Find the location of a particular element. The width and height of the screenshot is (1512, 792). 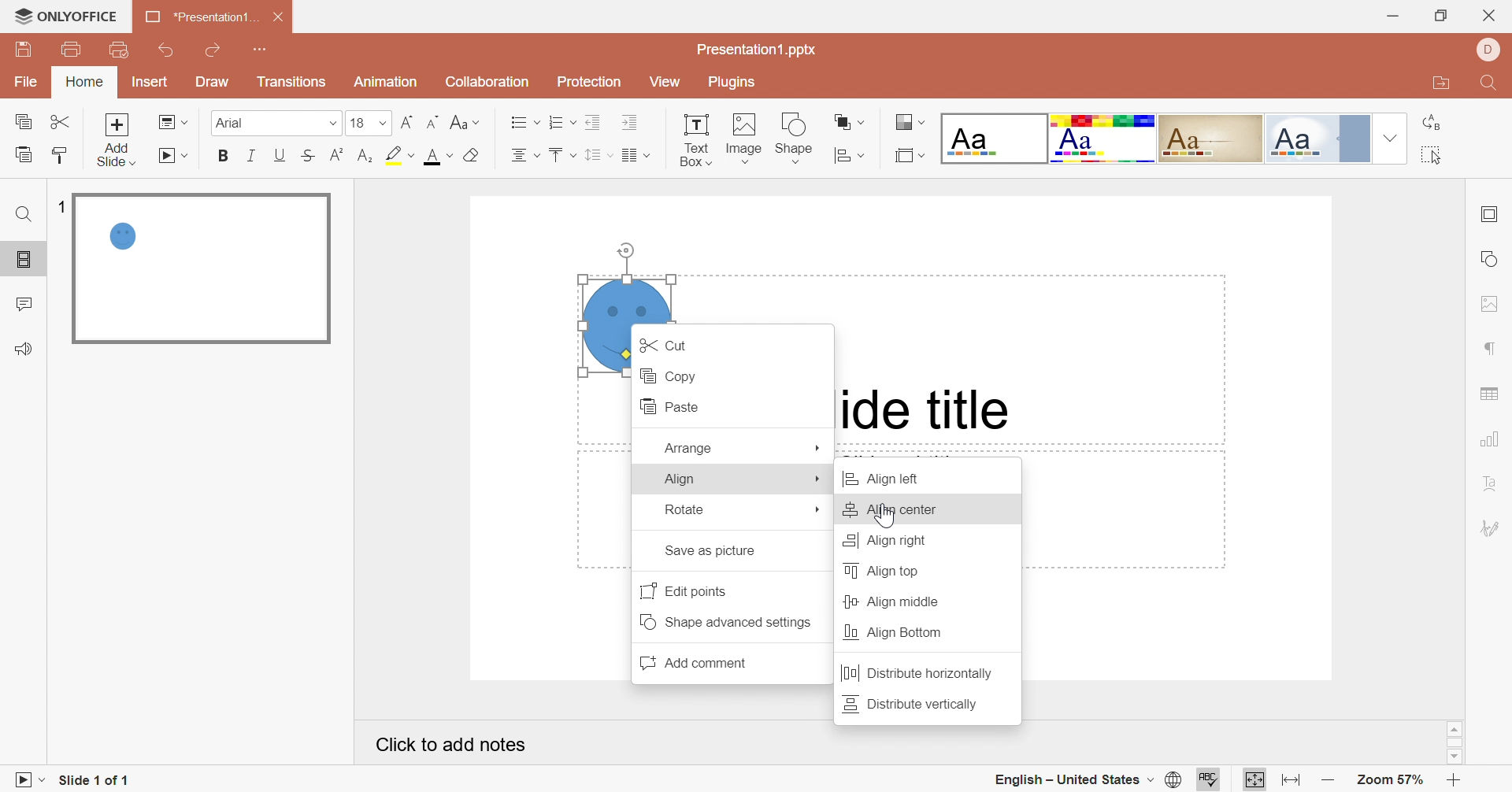

Home is located at coordinates (86, 81).